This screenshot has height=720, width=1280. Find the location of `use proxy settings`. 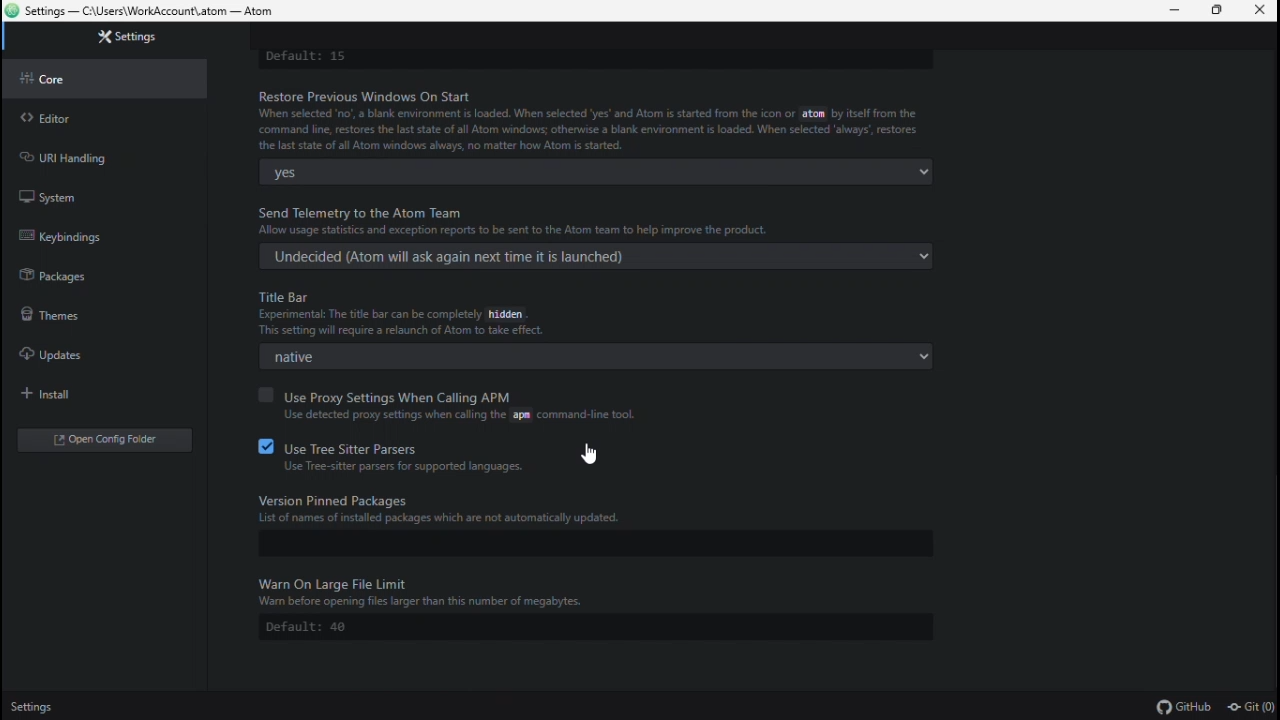

use proxy settings is located at coordinates (469, 406).